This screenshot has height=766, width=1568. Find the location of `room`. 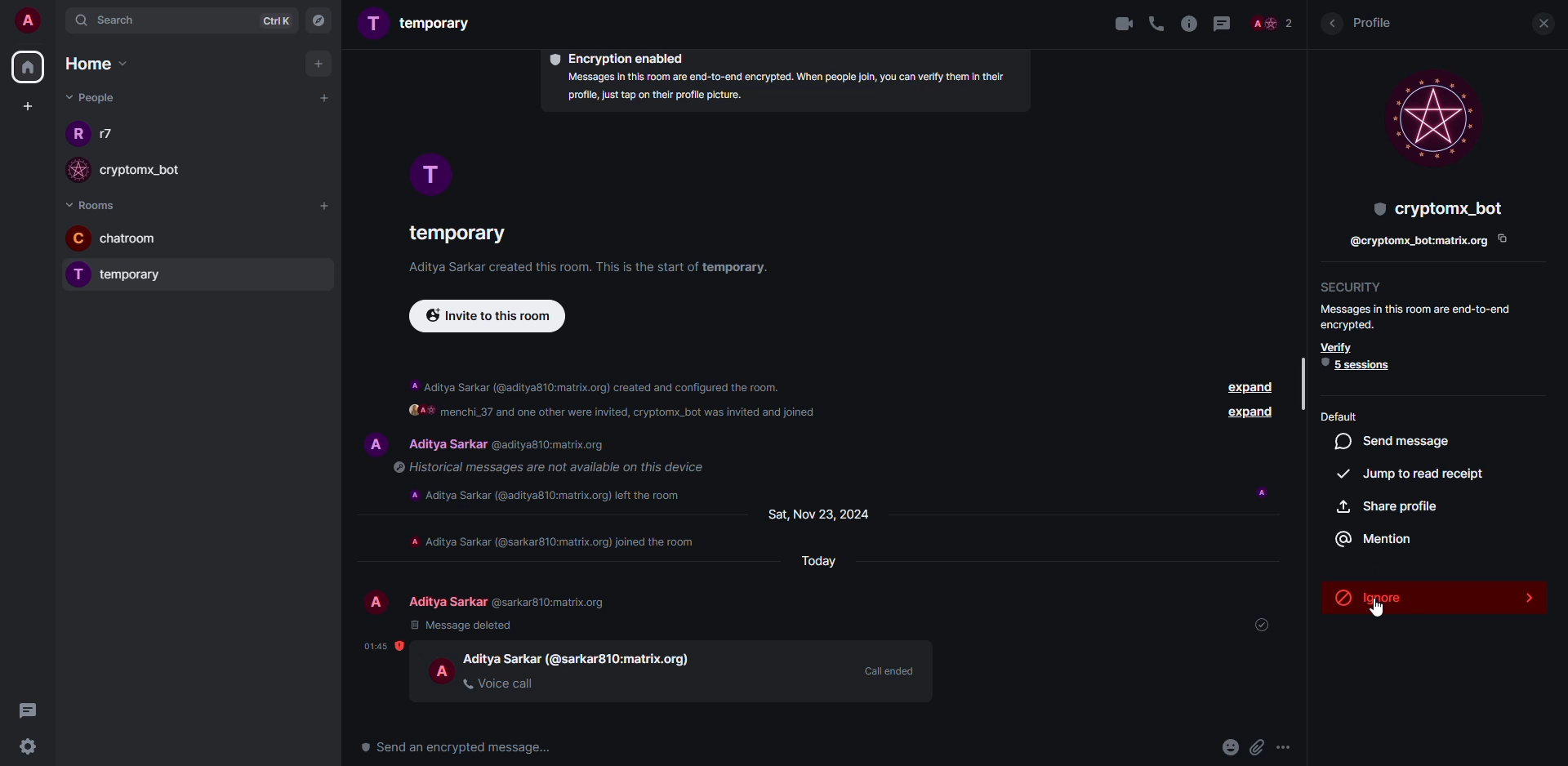

room is located at coordinates (455, 230).